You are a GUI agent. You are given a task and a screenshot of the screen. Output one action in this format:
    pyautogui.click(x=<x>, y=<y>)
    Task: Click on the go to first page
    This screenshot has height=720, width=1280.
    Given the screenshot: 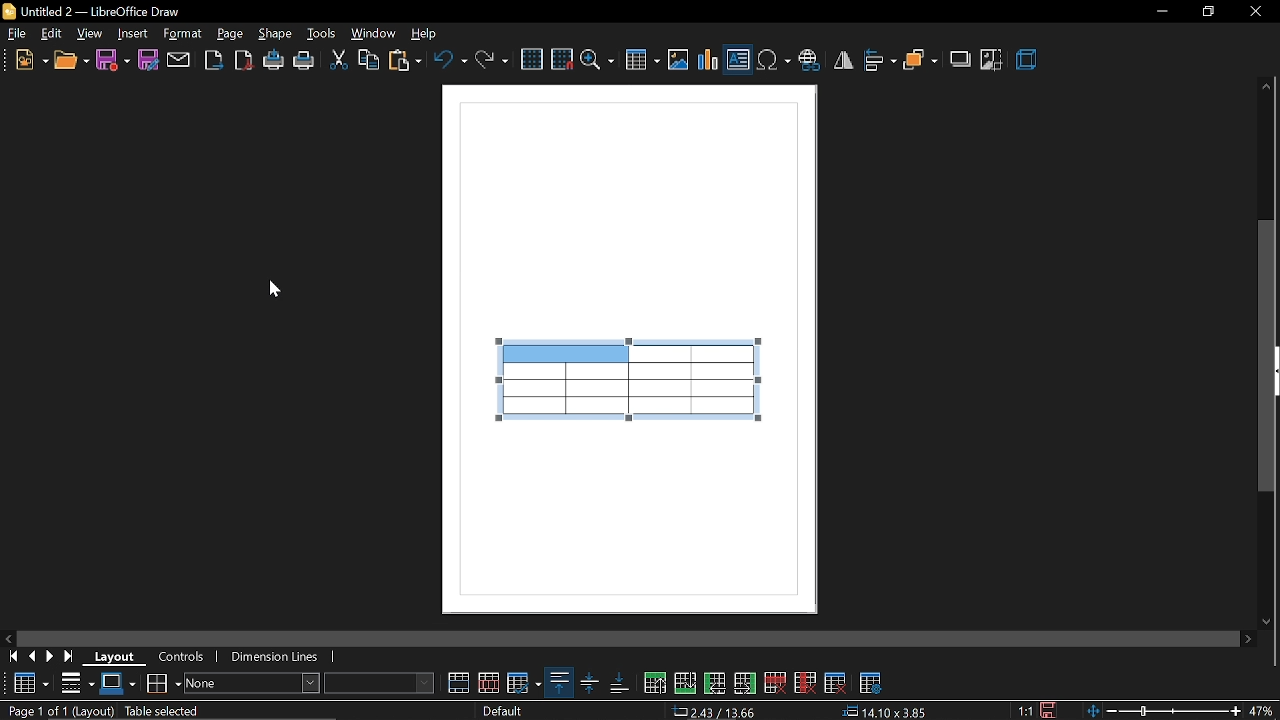 What is the action you would take?
    pyautogui.click(x=10, y=656)
    